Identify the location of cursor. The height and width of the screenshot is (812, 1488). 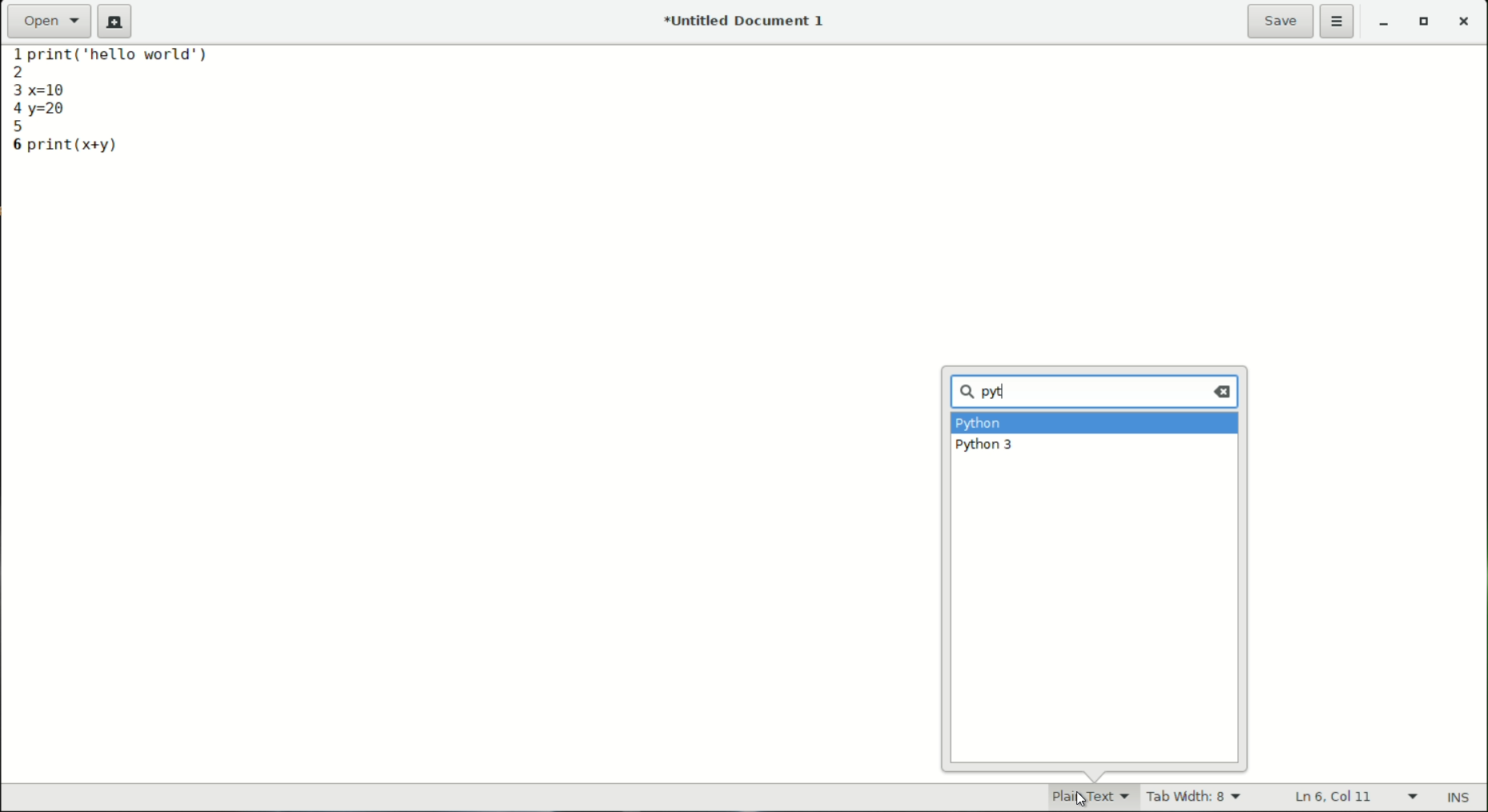
(1079, 796).